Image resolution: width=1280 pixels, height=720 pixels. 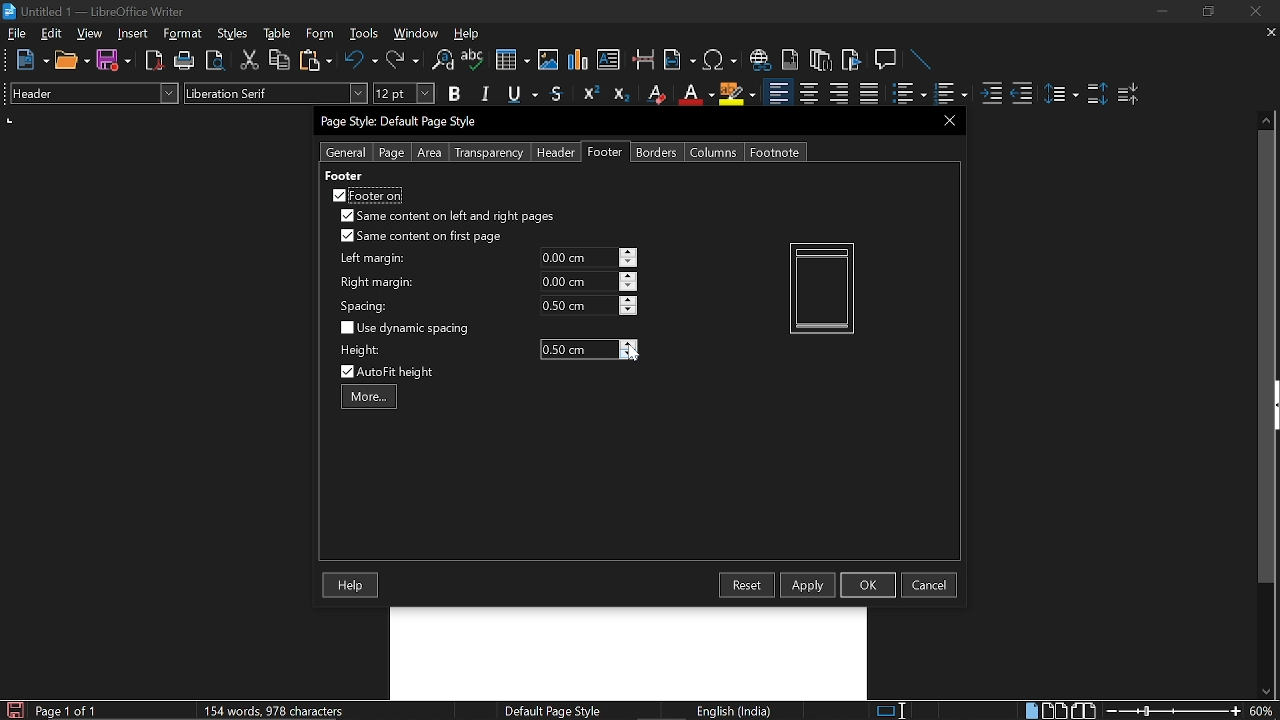 I want to click on Current zoom hey Cortana, so click(x=1261, y=710).